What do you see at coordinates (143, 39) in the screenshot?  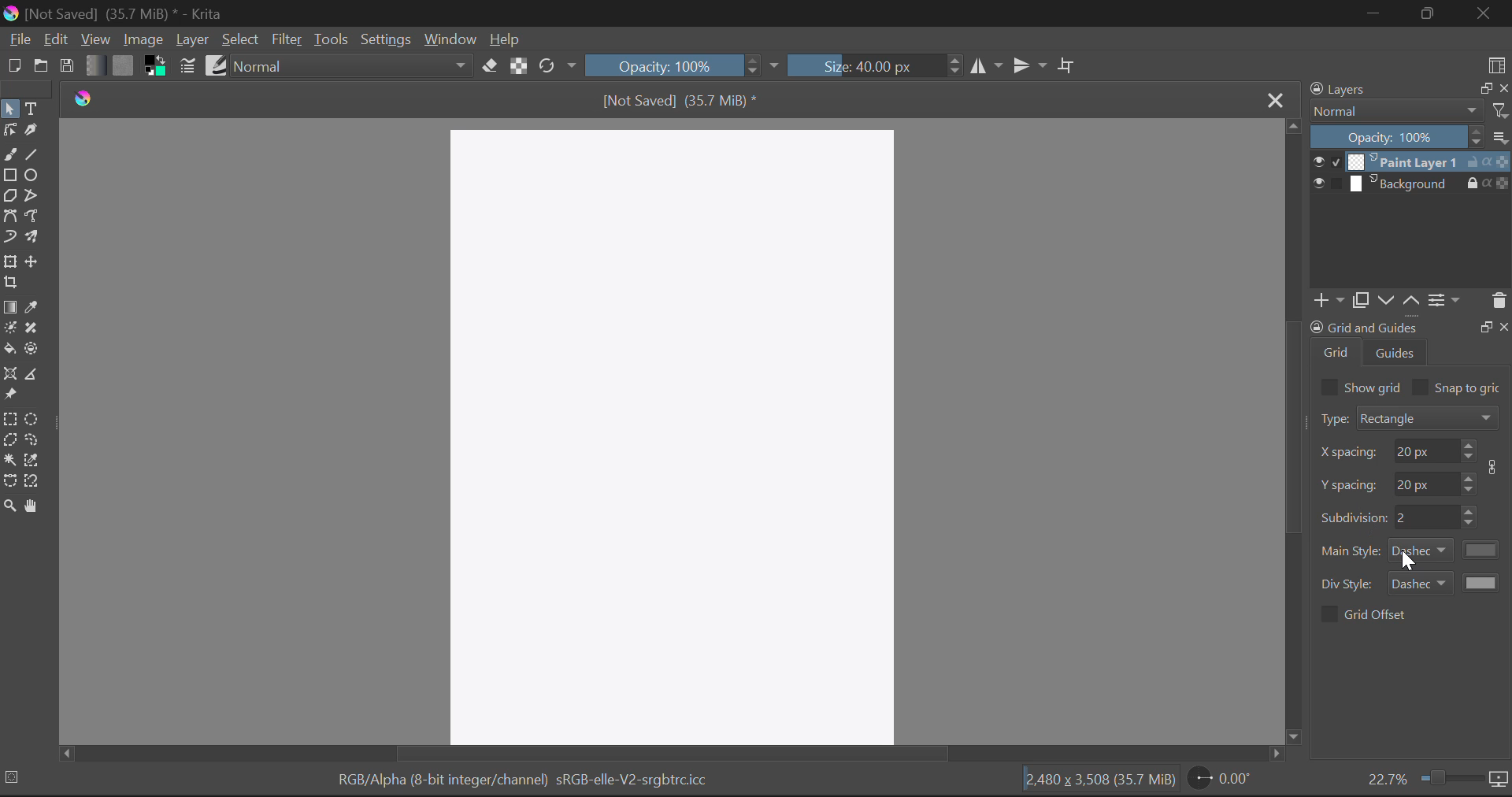 I see `Image` at bounding box center [143, 39].